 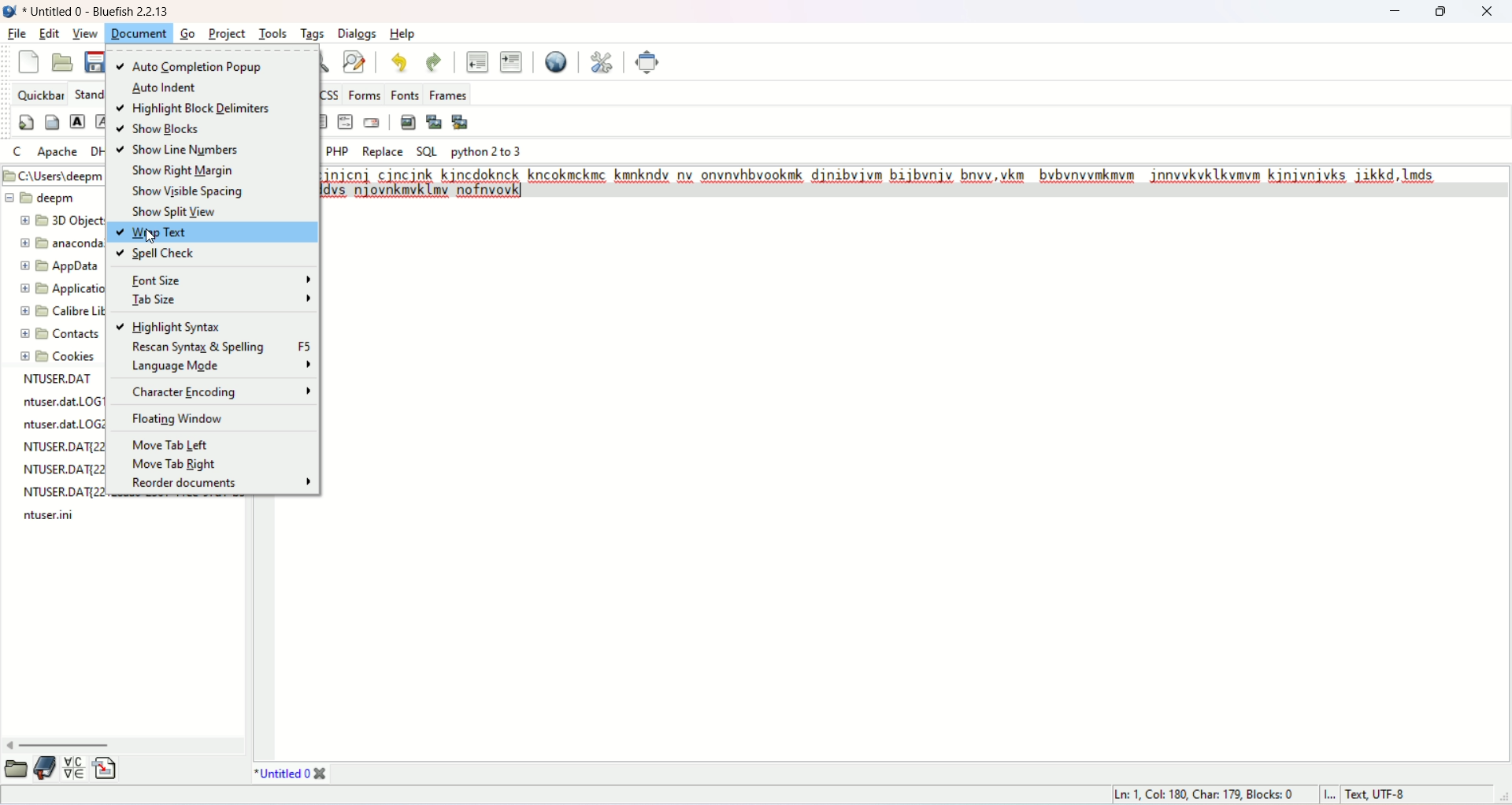 I want to click on body, so click(x=50, y=121).